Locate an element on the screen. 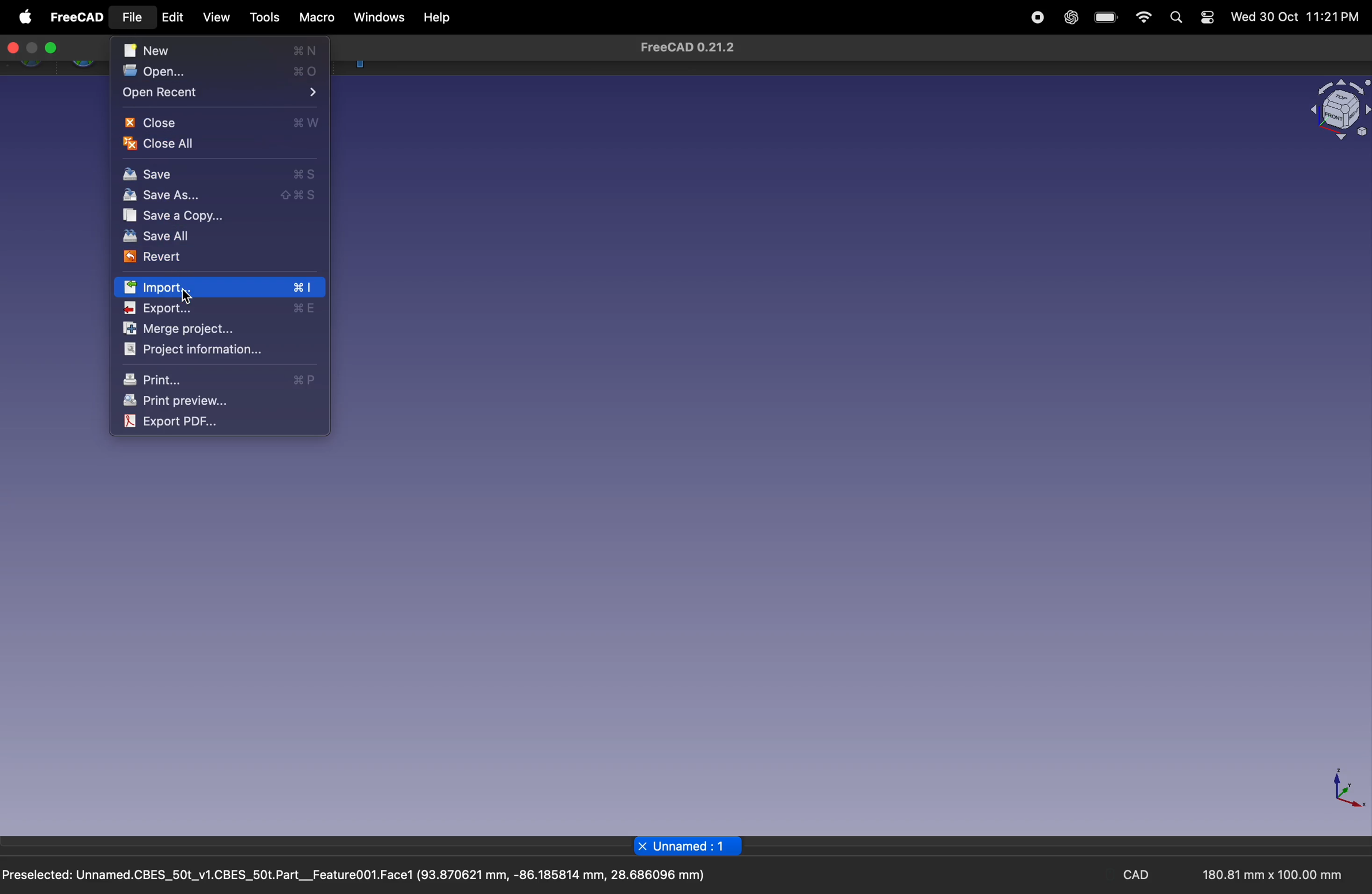 The height and width of the screenshot is (894, 1372). chatgpt is located at coordinates (1068, 18).